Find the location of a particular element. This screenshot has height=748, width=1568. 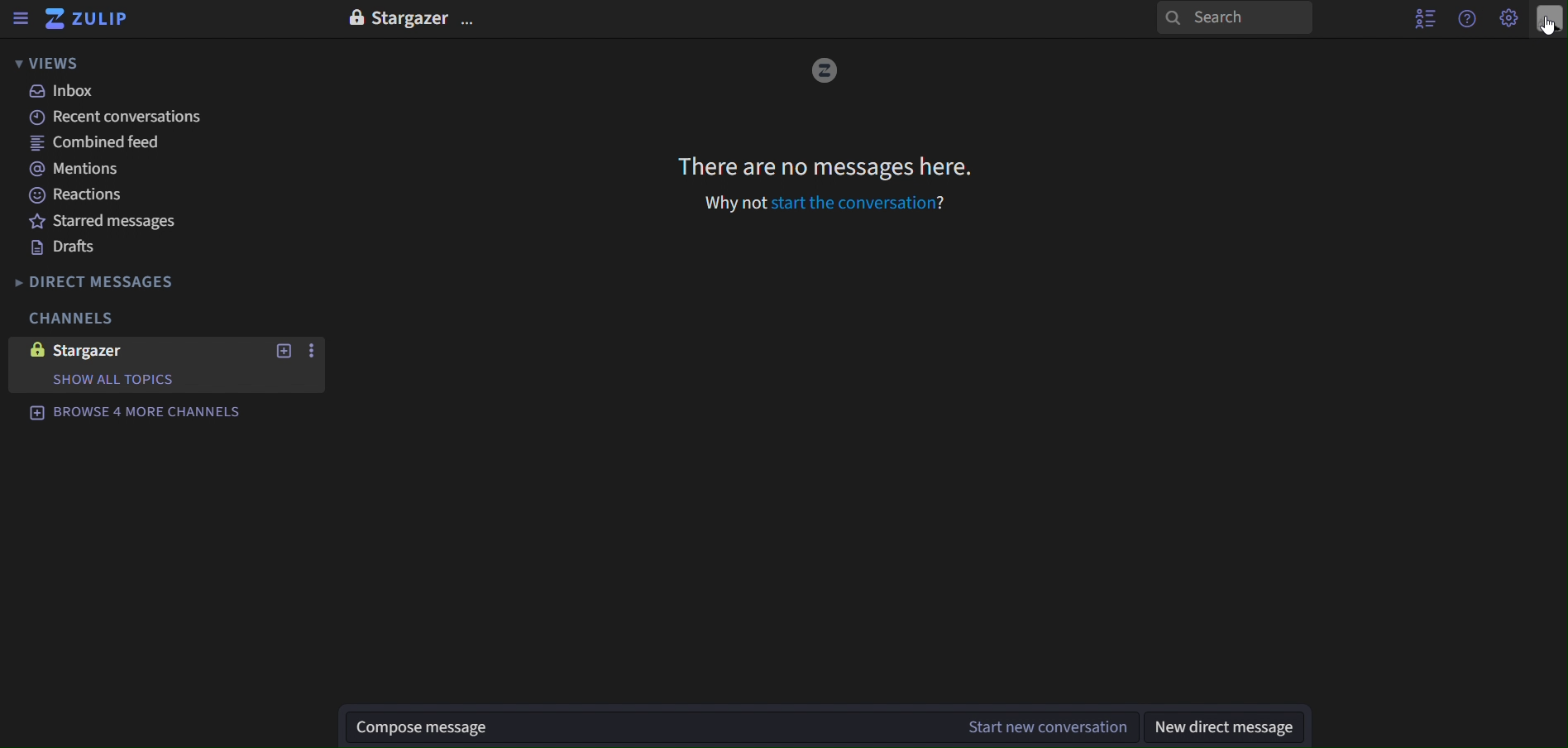

inbox is located at coordinates (65, 93).